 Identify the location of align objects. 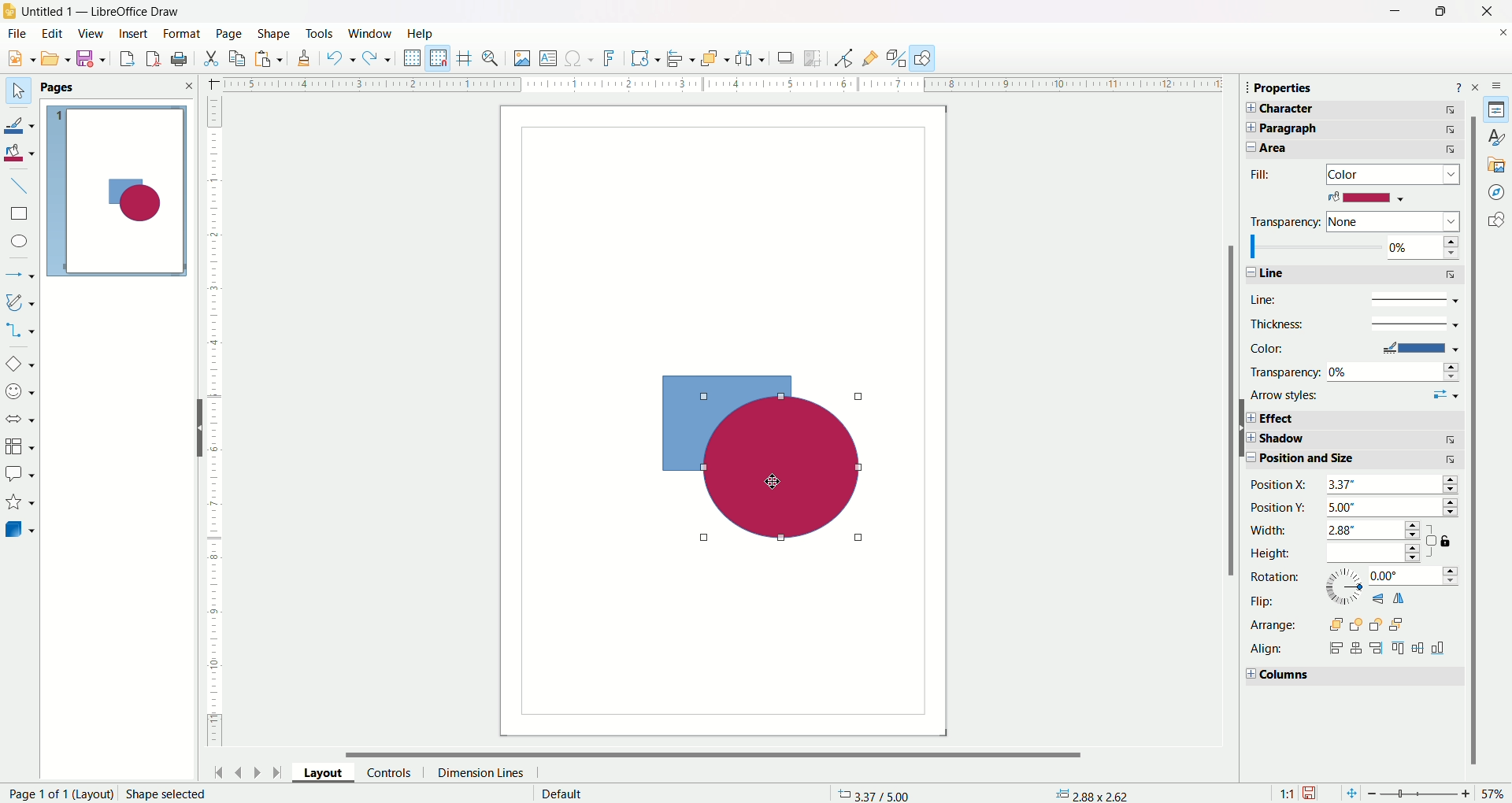
(682, 61).